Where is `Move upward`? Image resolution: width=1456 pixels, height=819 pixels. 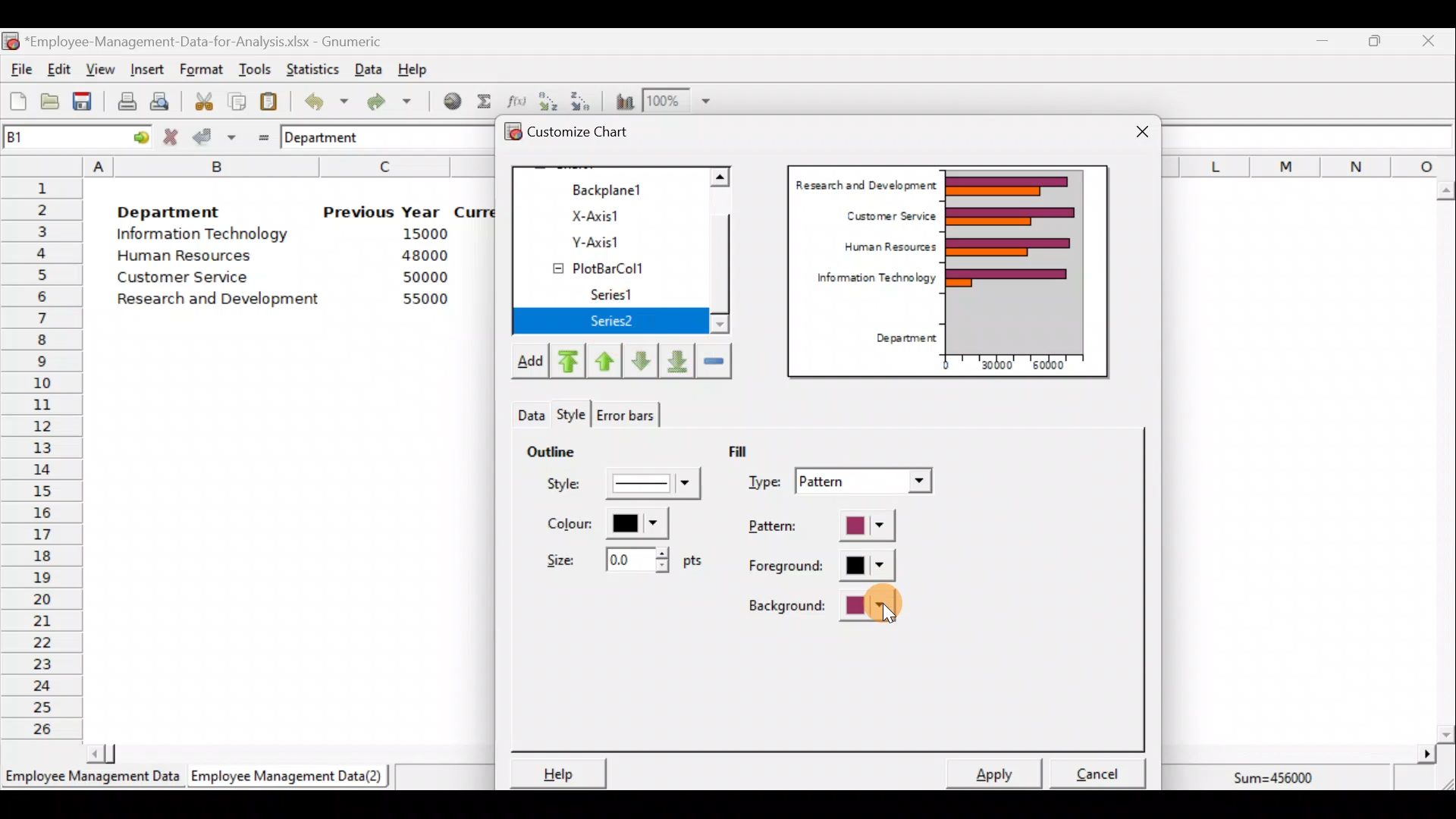 Move upward is located at coordinates (566, 362).